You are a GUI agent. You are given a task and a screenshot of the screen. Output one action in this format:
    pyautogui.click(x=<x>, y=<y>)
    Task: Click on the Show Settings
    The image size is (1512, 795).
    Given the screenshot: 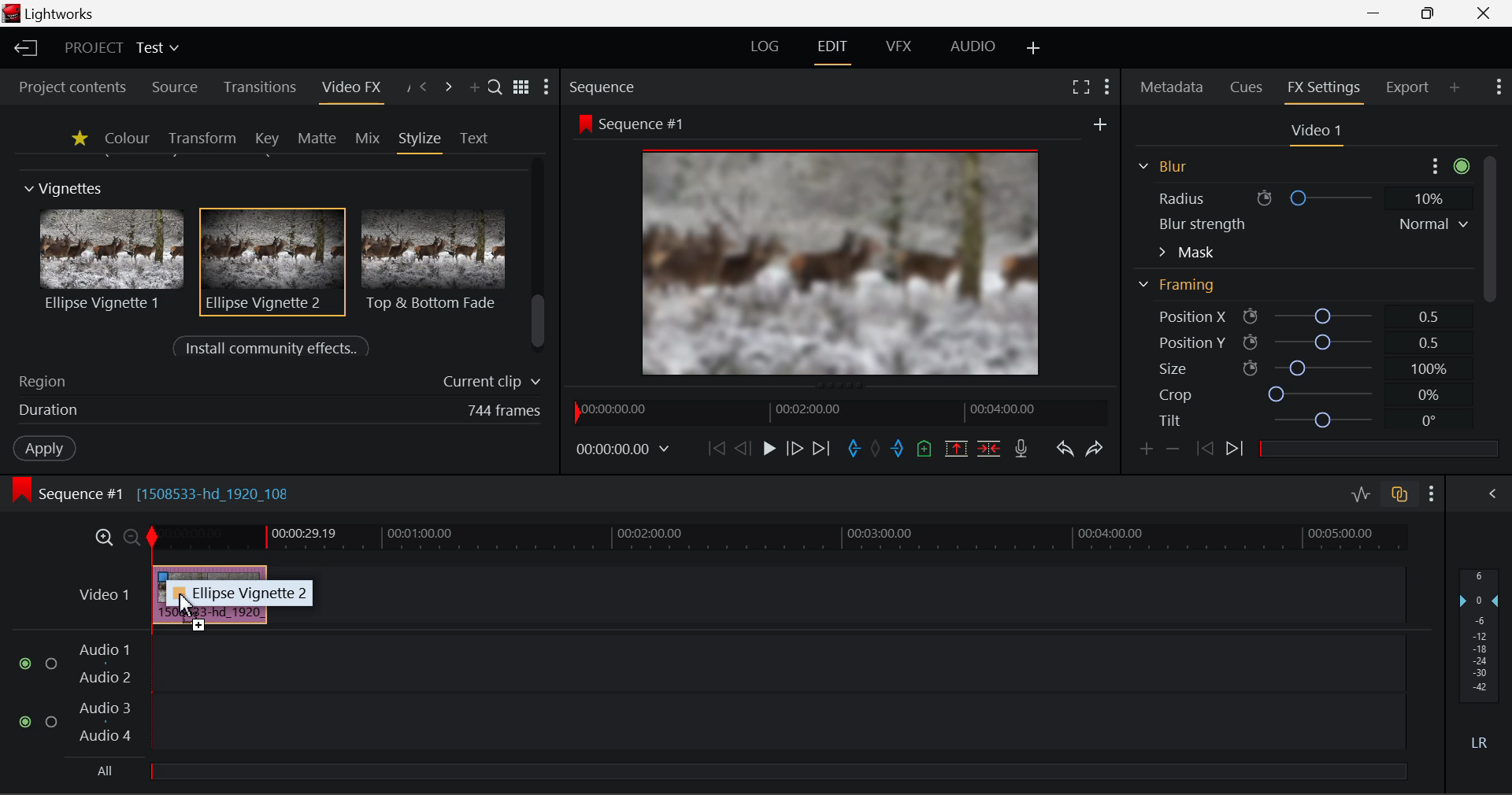 What is the action you would take?
    pyautogui.click(x=1107, y=85)
    